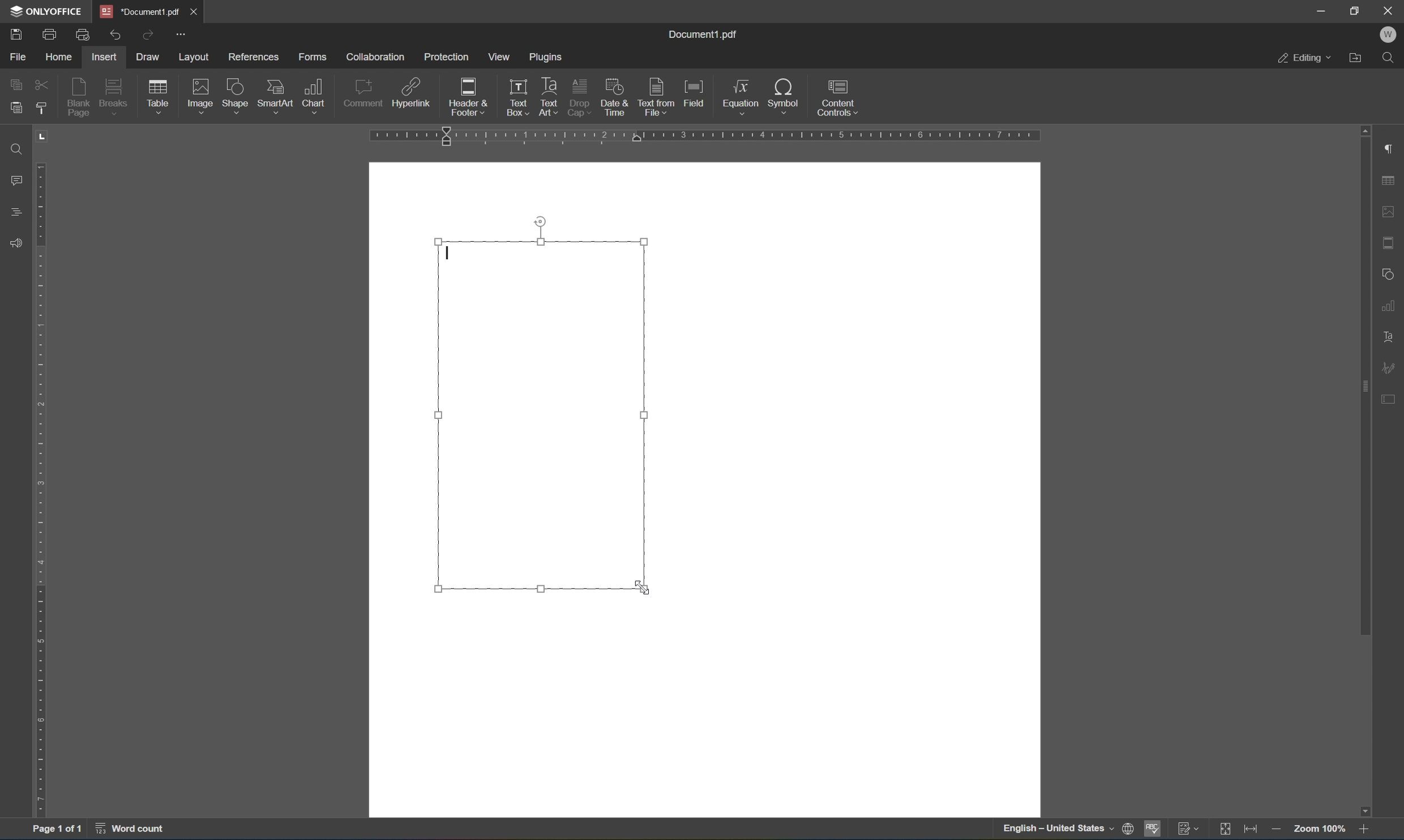  What do you see at coordinates (658, 97) in the screenshot?
I see `text from file` at bounding box center [658, 97].